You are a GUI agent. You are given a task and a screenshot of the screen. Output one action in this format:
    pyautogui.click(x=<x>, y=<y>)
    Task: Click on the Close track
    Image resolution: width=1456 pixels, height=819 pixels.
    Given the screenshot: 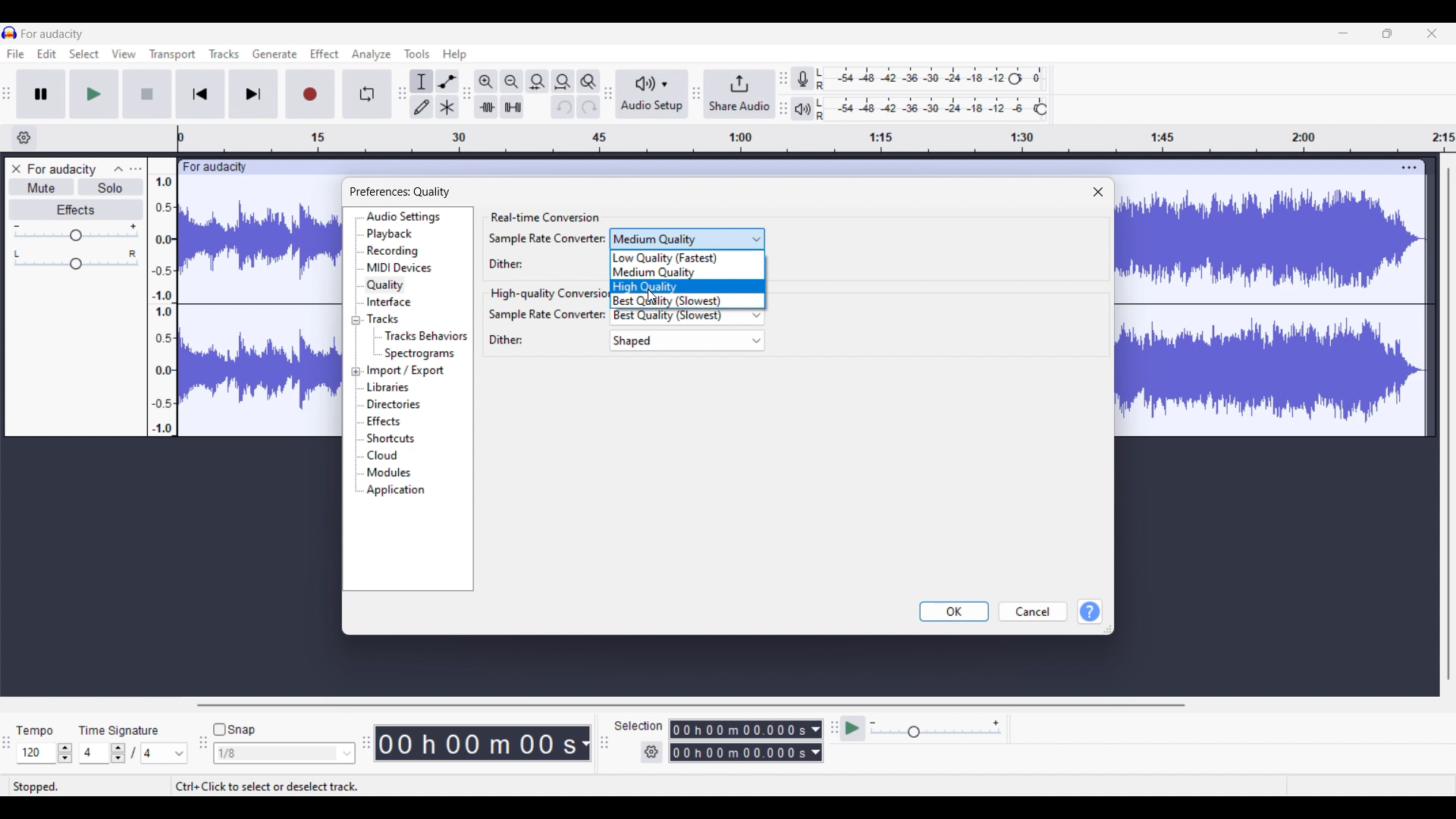 What is the action you would take?
    pyautogui.click(x=16, y=169)
    